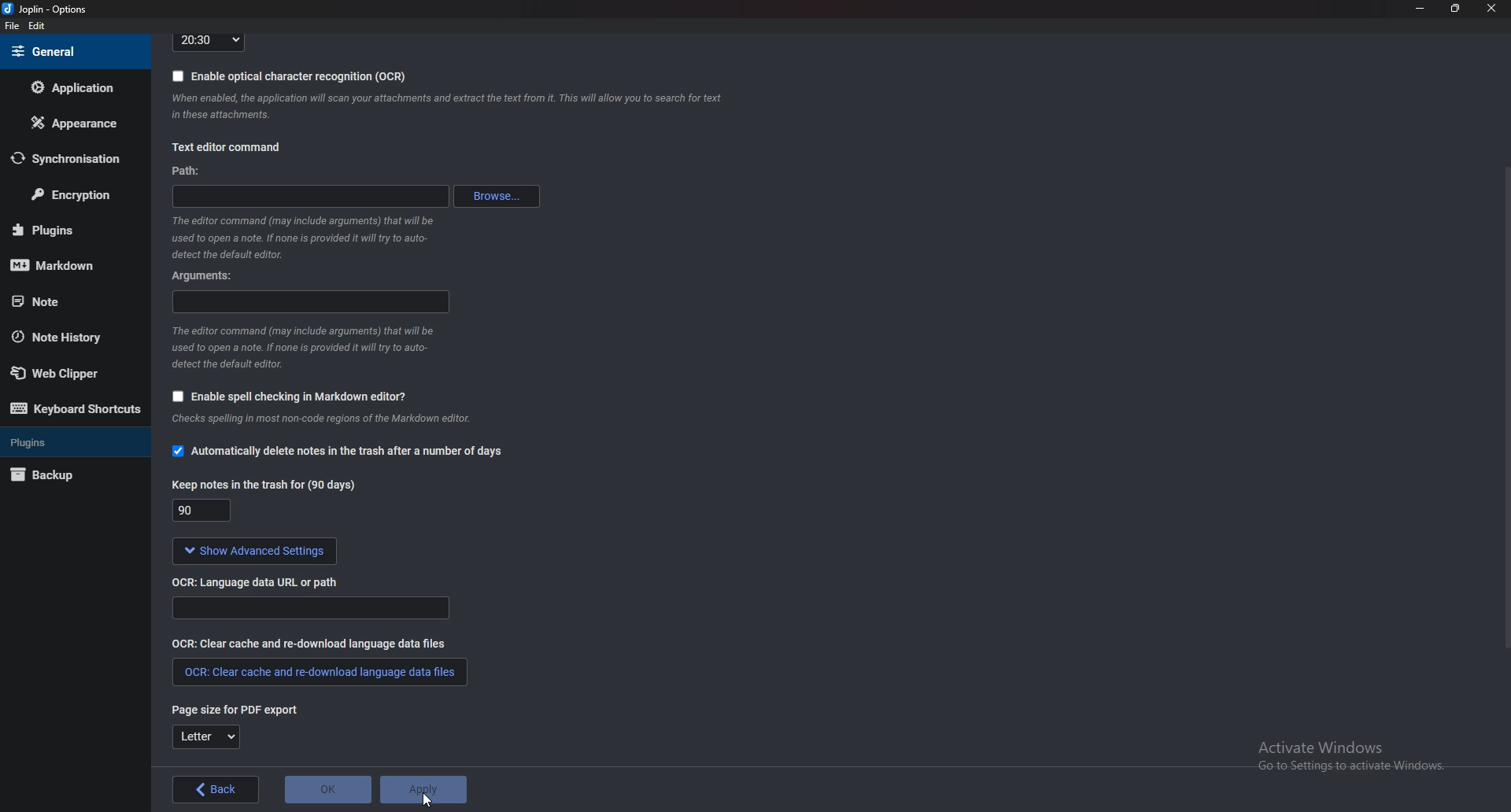  What do you see at coordinates (302, 347) in the screenshot?
I see `Info on editor command` at bounding box center [302, 347].